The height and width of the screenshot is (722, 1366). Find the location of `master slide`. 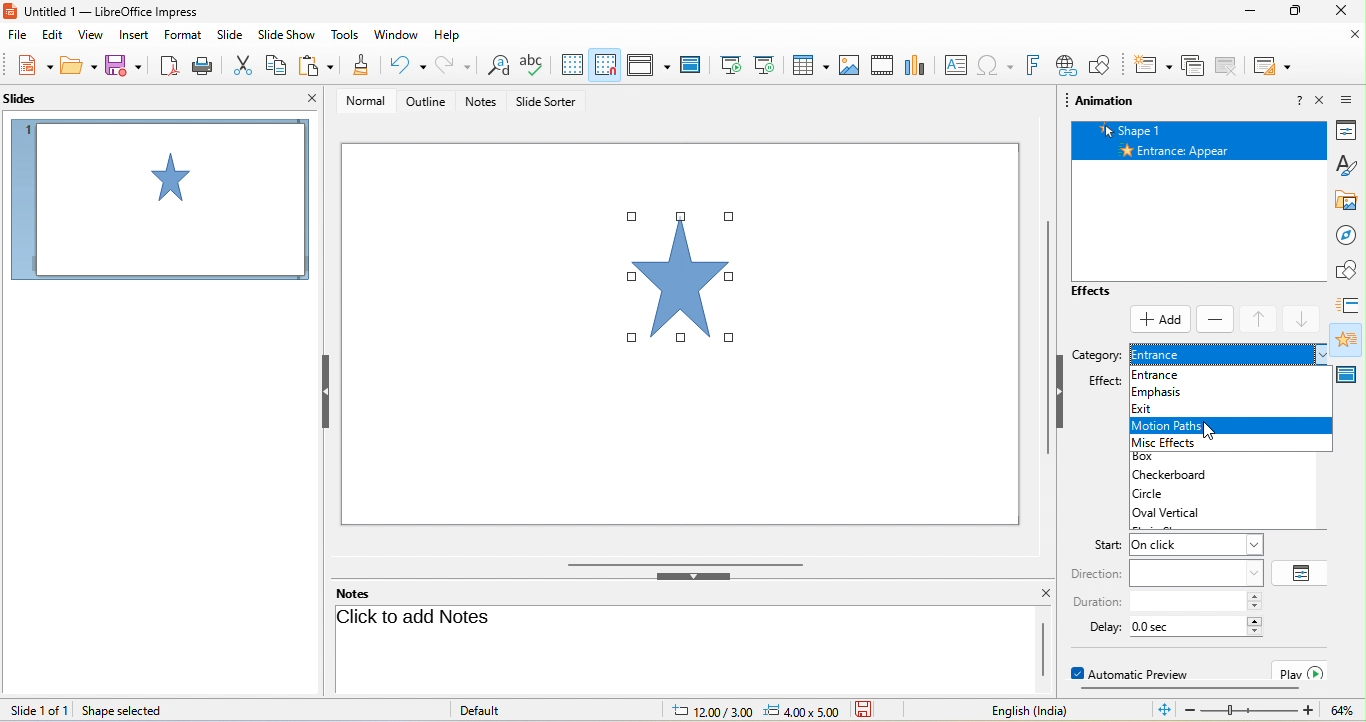

master slide is located at coordinates (692, 65).